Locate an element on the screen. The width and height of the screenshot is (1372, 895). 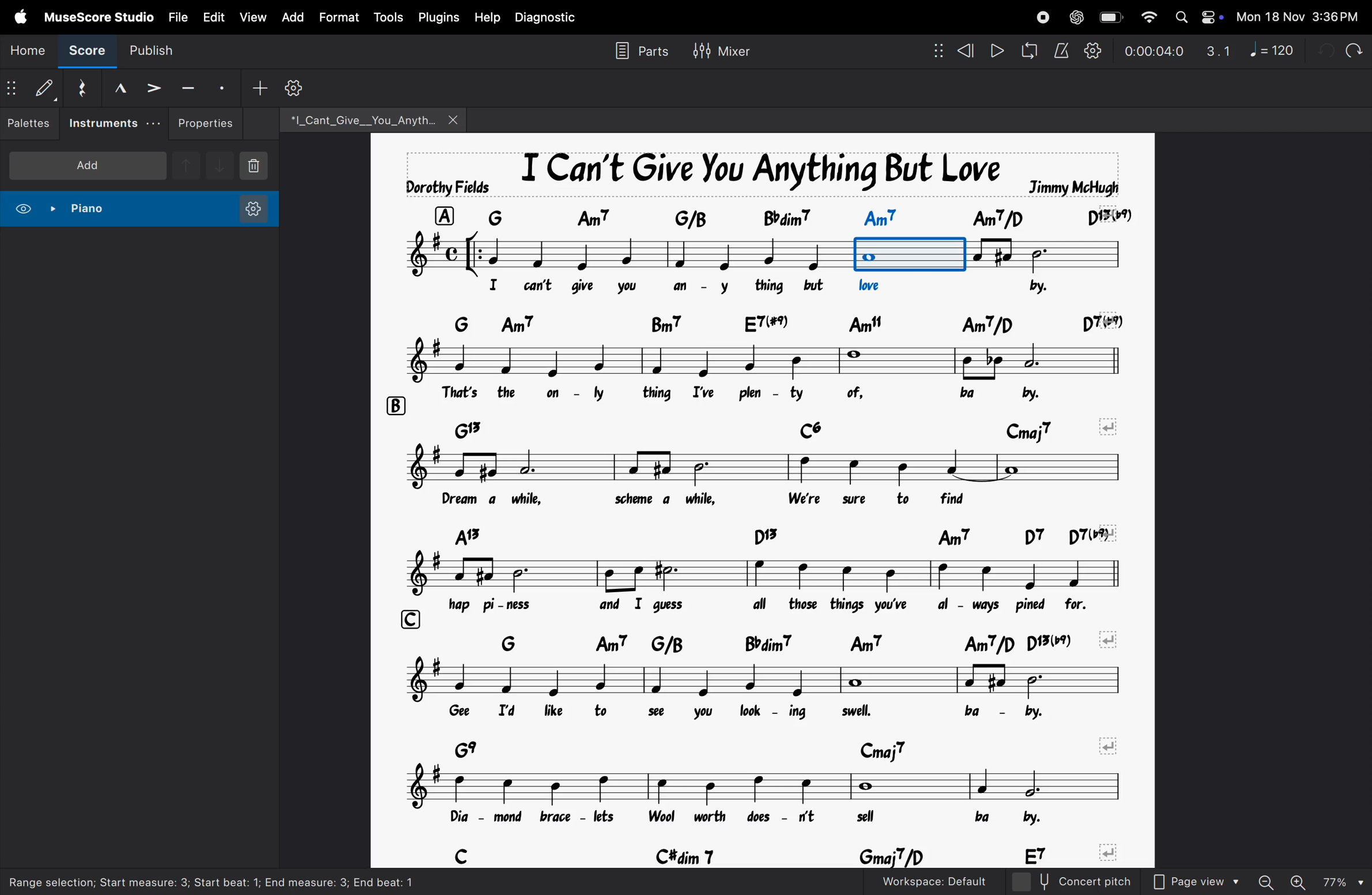
lyrics is located at coordinates (789, 818).